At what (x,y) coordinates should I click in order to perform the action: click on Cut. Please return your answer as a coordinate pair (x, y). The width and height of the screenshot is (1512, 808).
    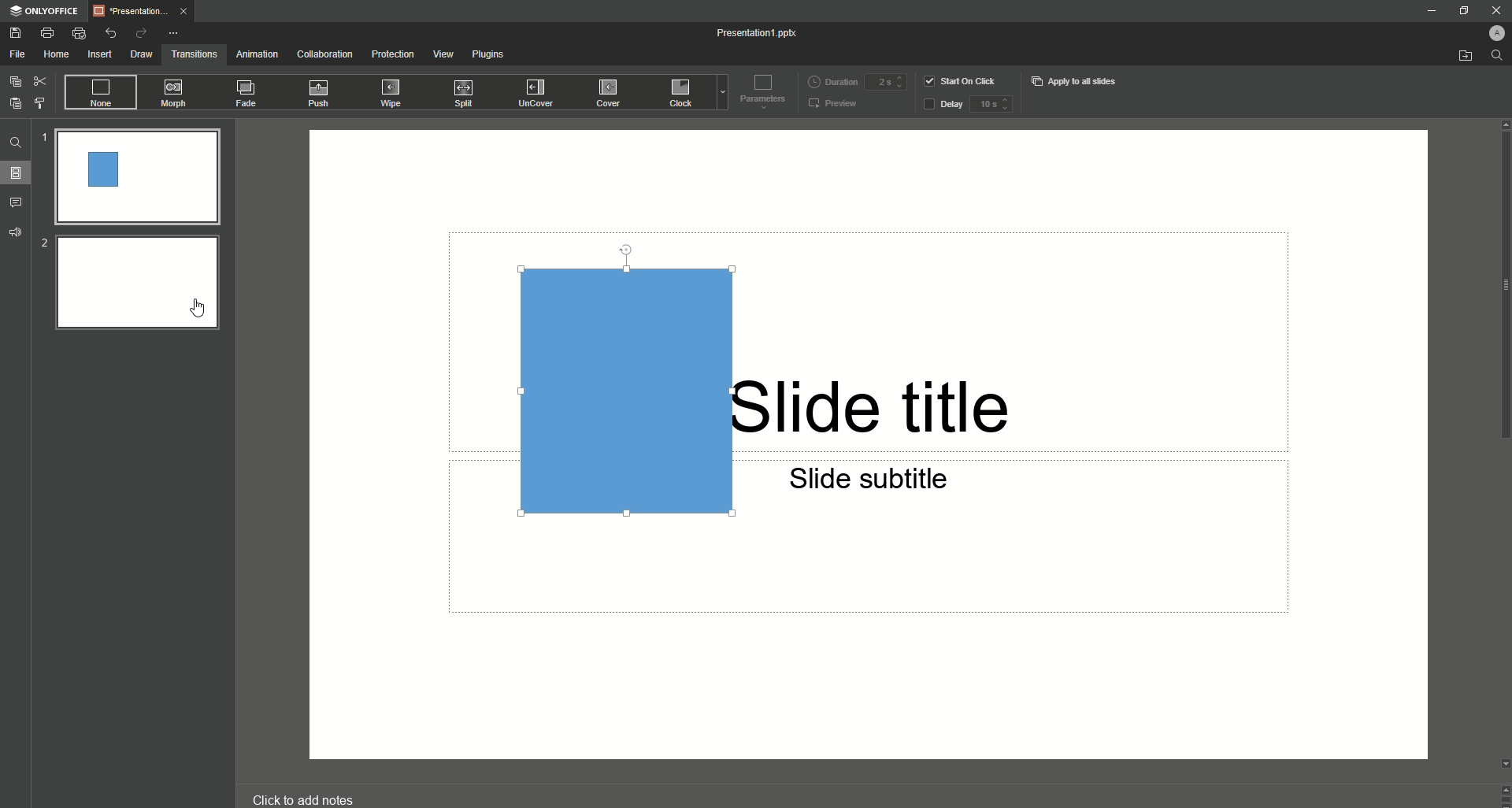
    Looking at the image, I should click on (43, 80).